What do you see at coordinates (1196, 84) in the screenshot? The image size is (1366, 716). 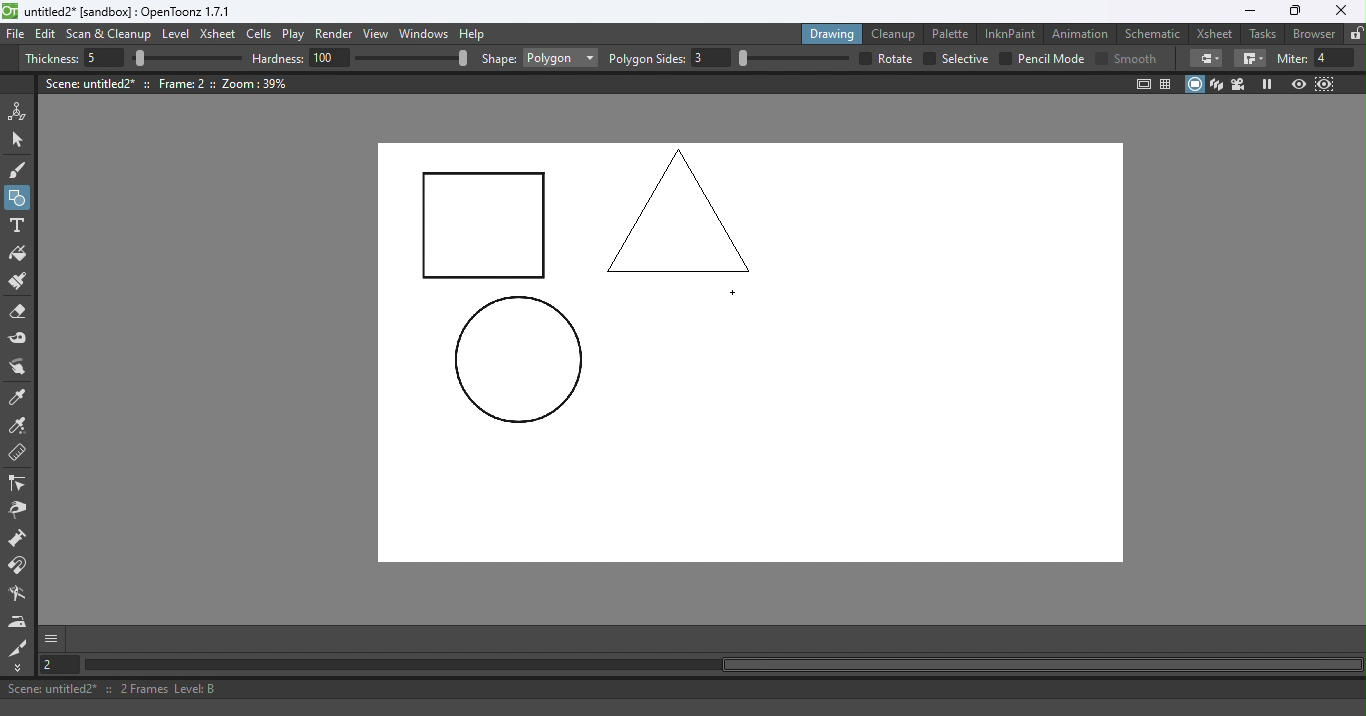 I see `Camera stand view` at bounding box center [1196, 84].